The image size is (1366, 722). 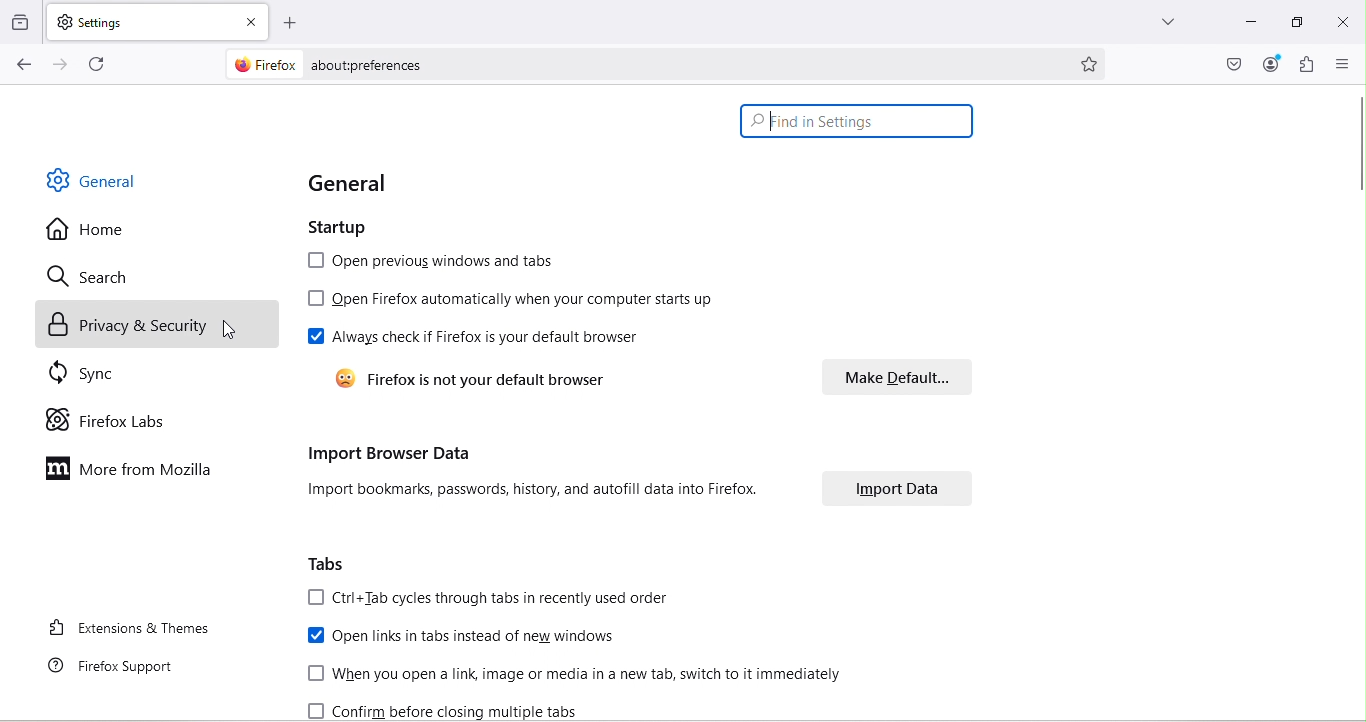 What do you see at coordinates (1304, 65) in the screenshot?
I see `Extensions` at bounding box center [1304, 65].